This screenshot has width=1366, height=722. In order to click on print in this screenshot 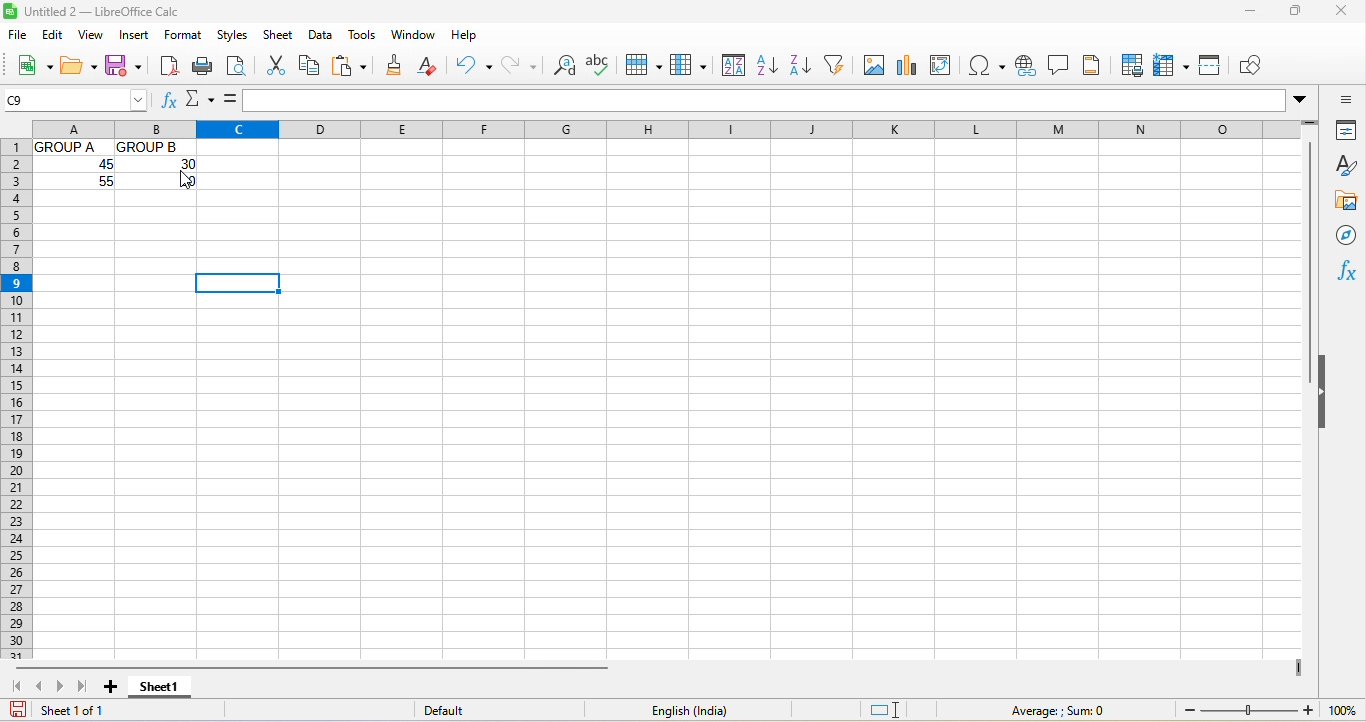, I will do `click(205, 68)`.